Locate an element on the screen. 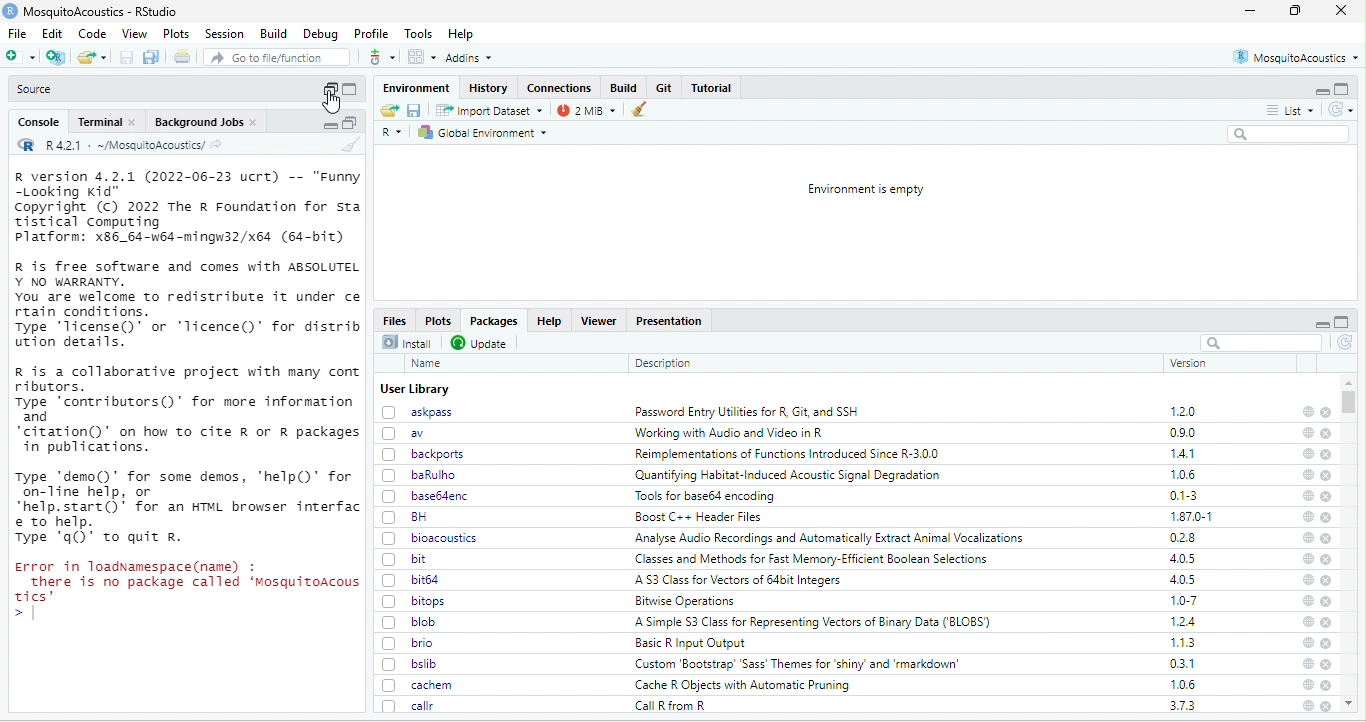 This screenshot has height=722, width=1366. Go to file/function is located at coordinates (274, 56).